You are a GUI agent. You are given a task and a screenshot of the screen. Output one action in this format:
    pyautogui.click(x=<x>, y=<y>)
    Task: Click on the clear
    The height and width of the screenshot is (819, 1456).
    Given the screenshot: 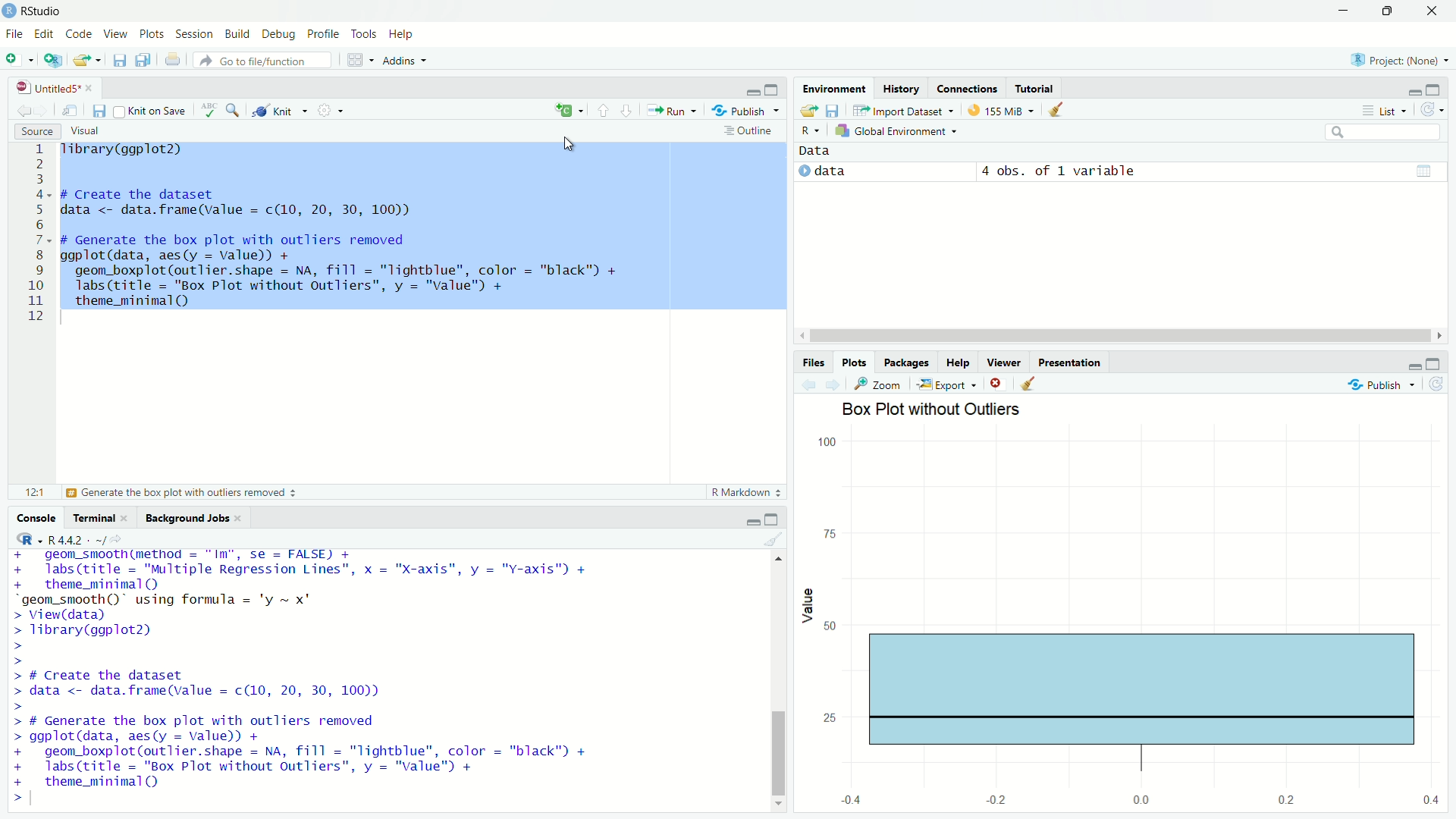 What is the action you would take?
    pyautogui.click(x=1053, y=111)
    